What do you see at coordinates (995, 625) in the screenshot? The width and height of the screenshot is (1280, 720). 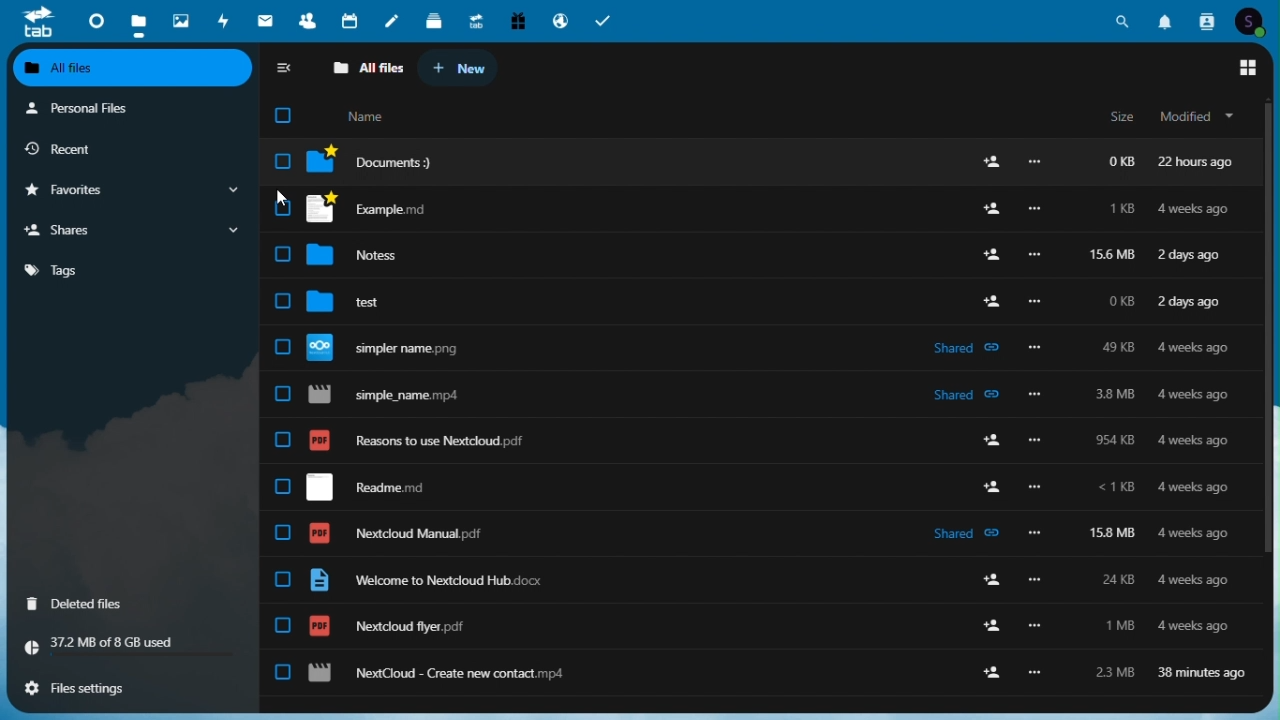 I see `add user` at bounding box center [995, 625].